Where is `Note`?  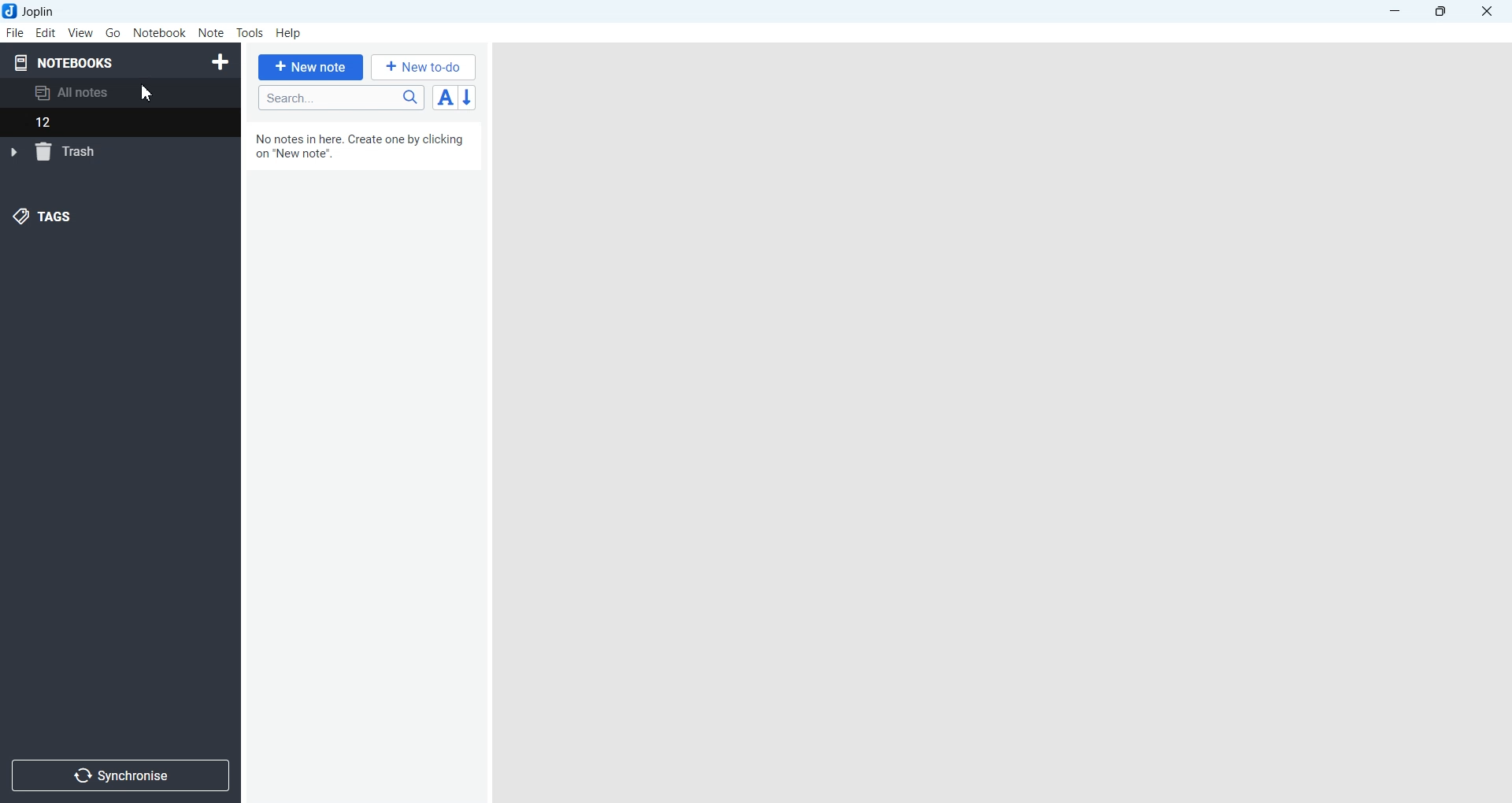 Note is located at coordinates (210, 33).